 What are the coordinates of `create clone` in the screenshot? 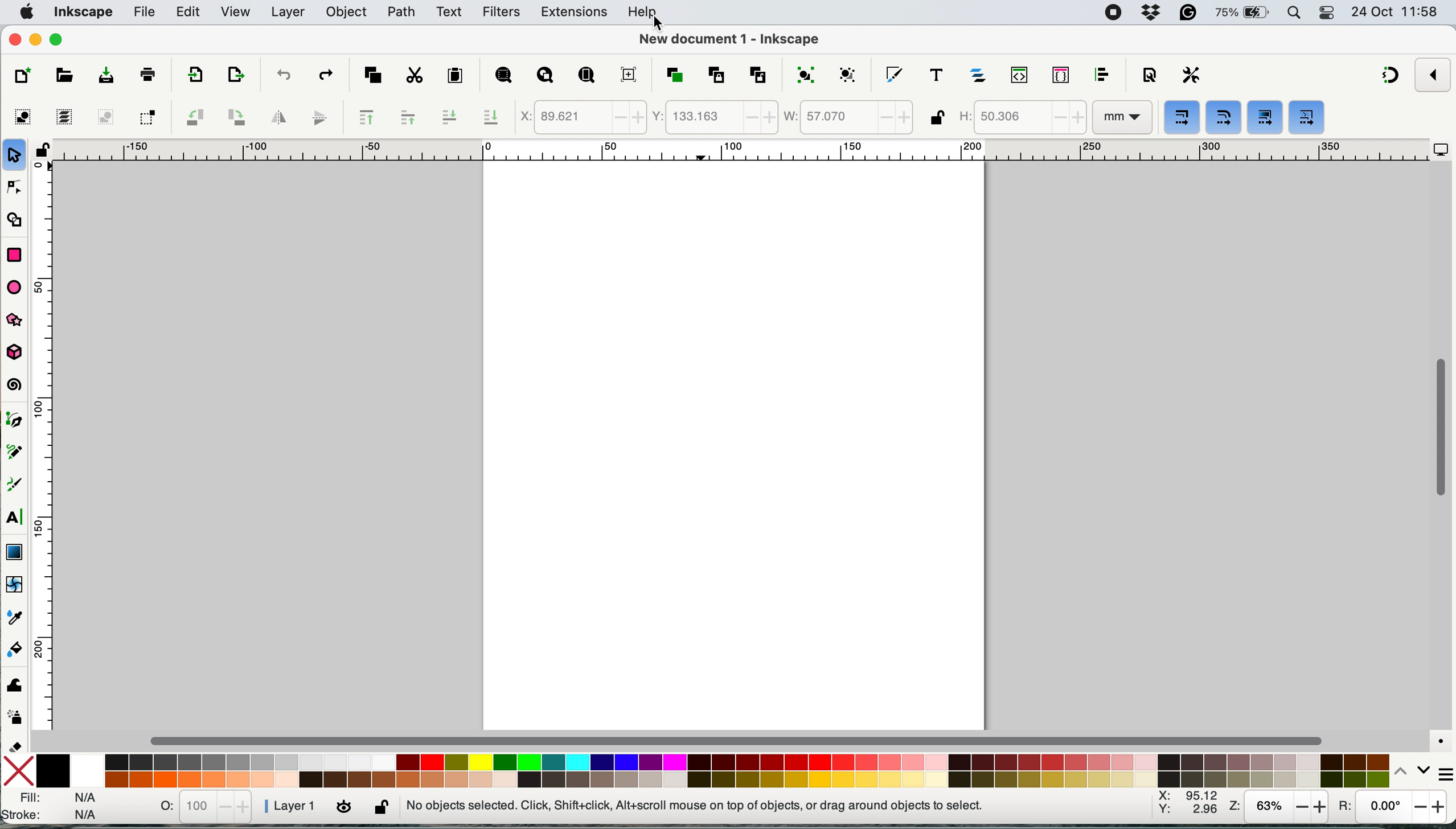 It's located at (713, 74).